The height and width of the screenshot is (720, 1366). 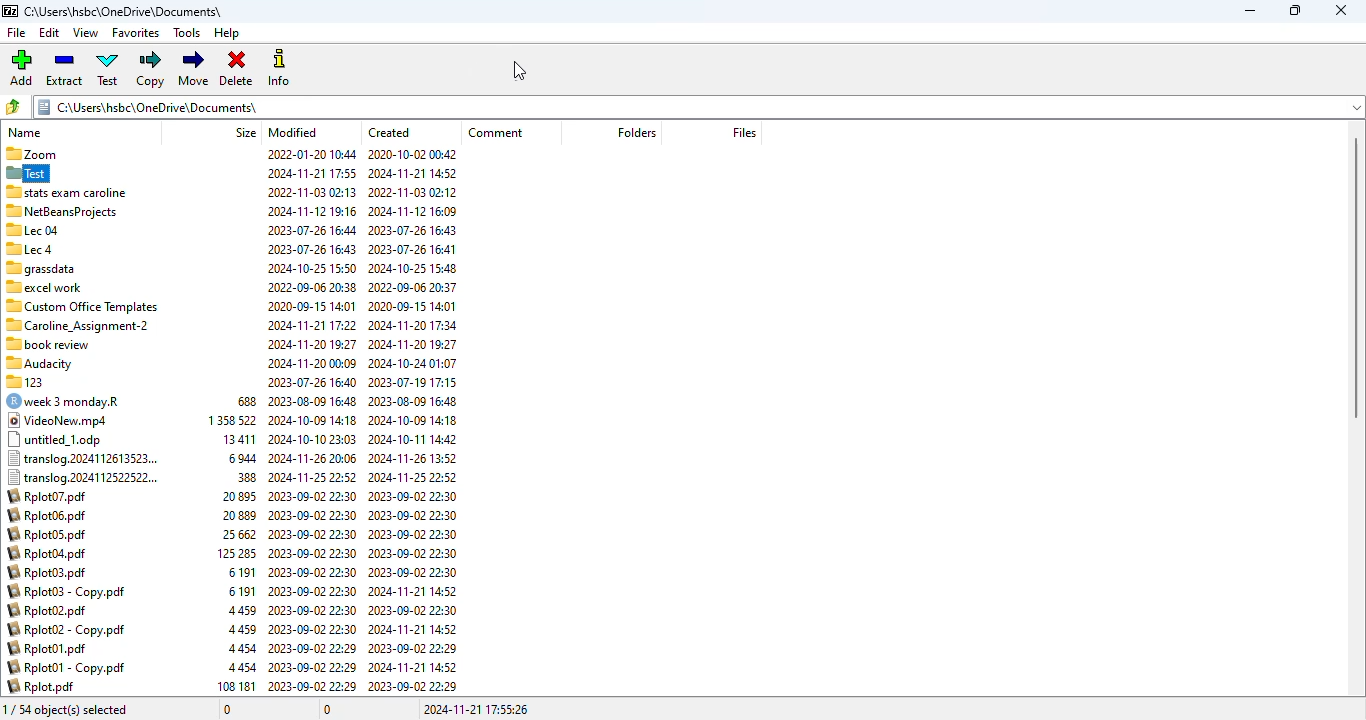 I want to click on Rplot05.pdf, so click(x=48, y=533).